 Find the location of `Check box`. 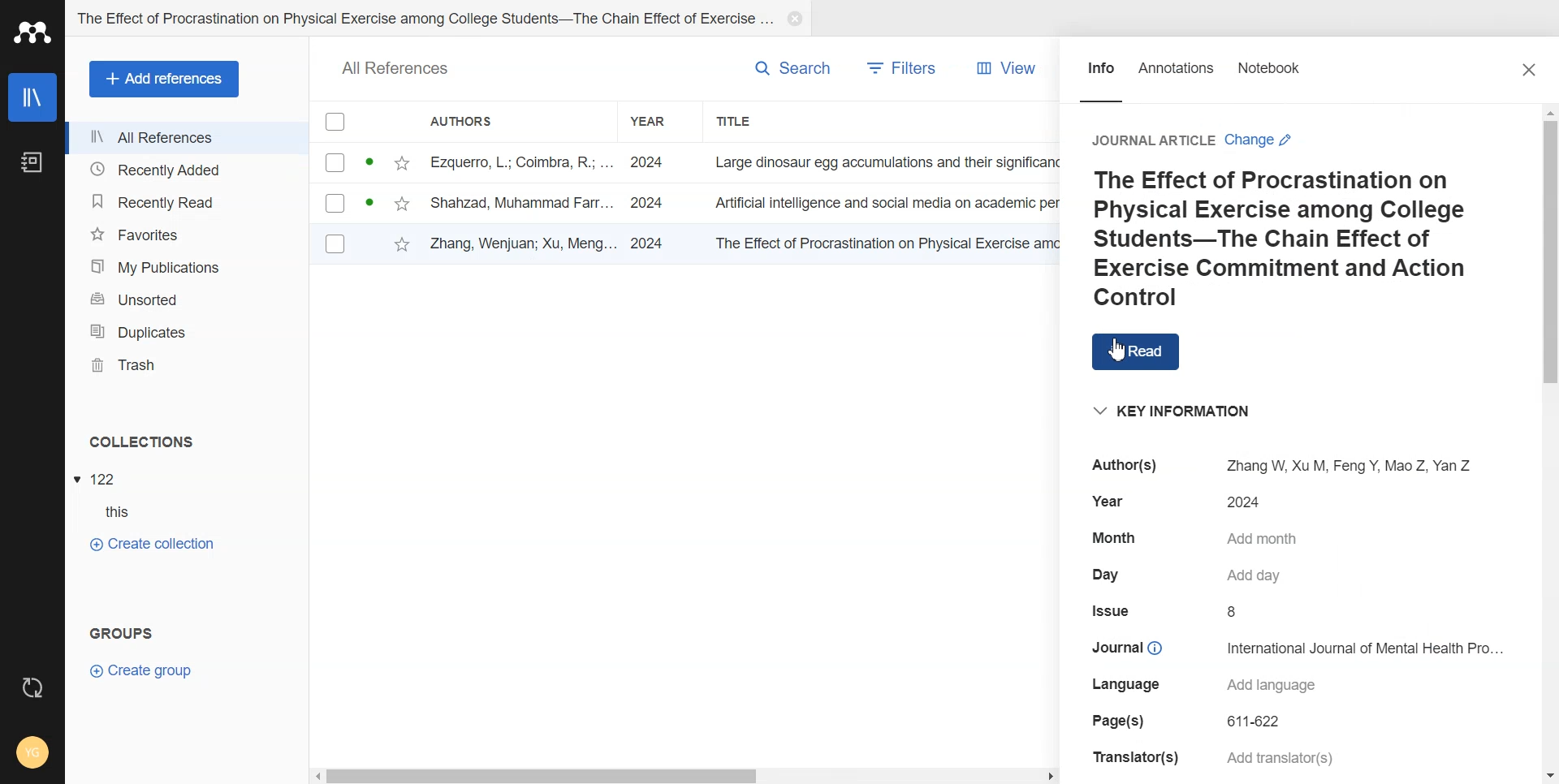

Check box is located at coordinates (338, 243).